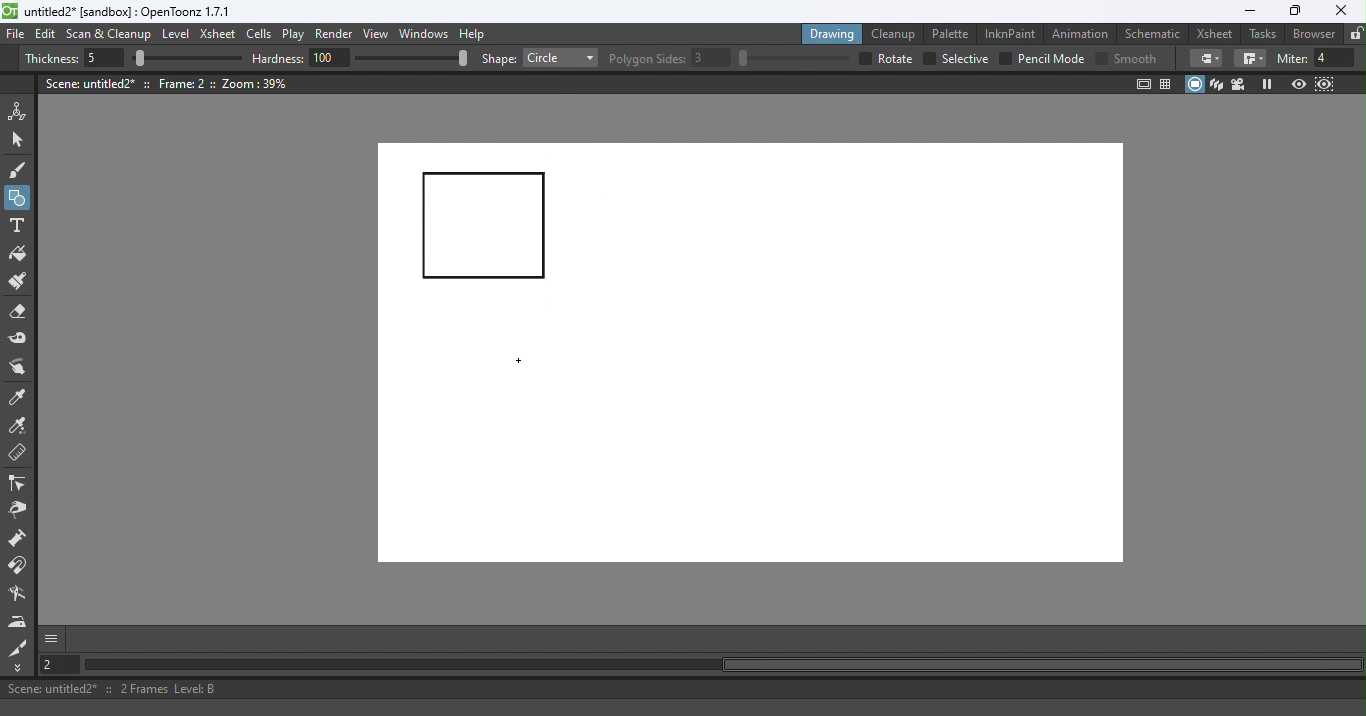  Describe the element at coordinates (928, 59) in the screenshot. I see `checkbox` at that location.